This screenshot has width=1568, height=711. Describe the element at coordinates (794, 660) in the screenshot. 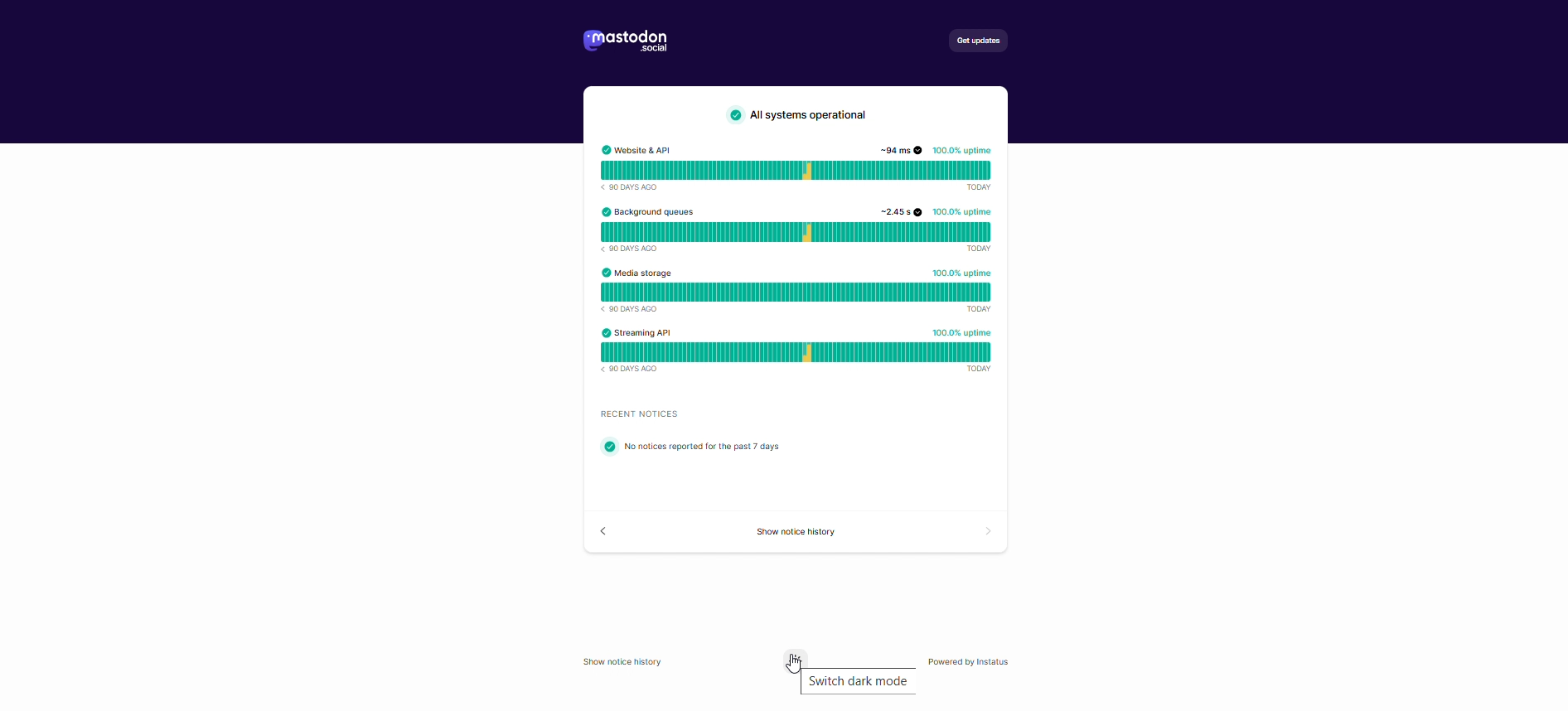

I see `switch to dark mode` at that location.